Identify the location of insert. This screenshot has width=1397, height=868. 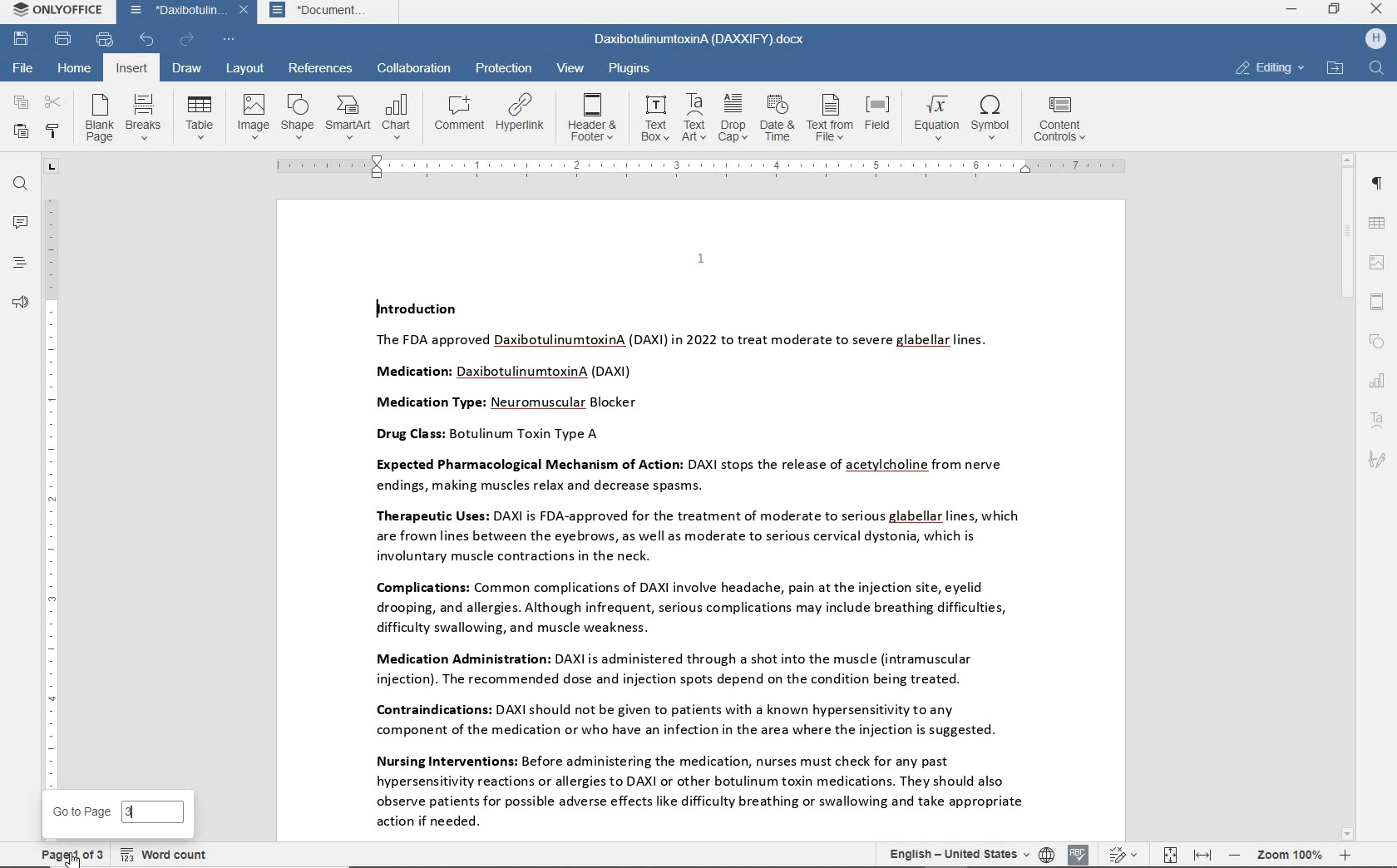
(130, 68).